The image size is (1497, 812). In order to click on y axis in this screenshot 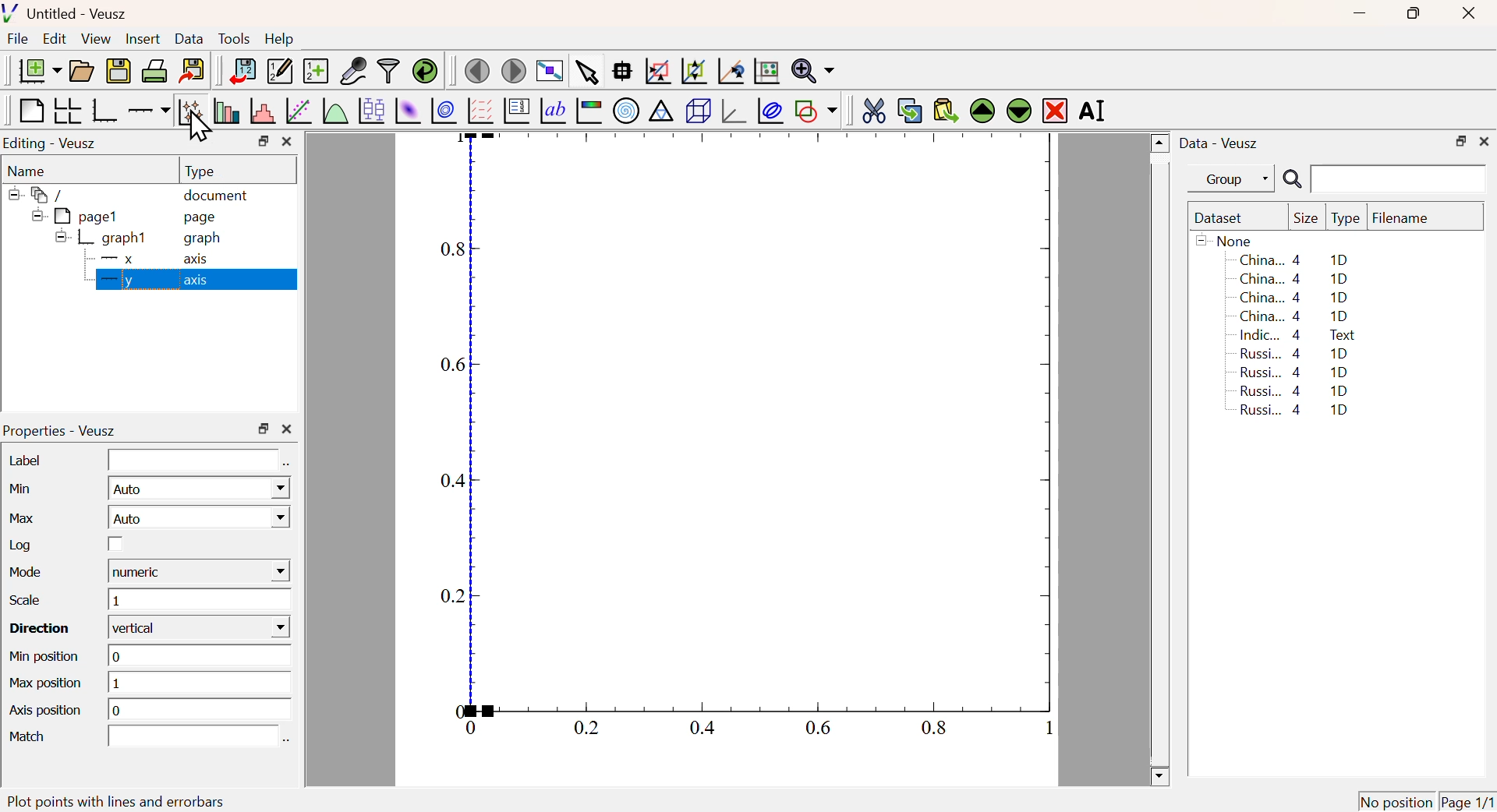, I will do `click(196, 280)`.